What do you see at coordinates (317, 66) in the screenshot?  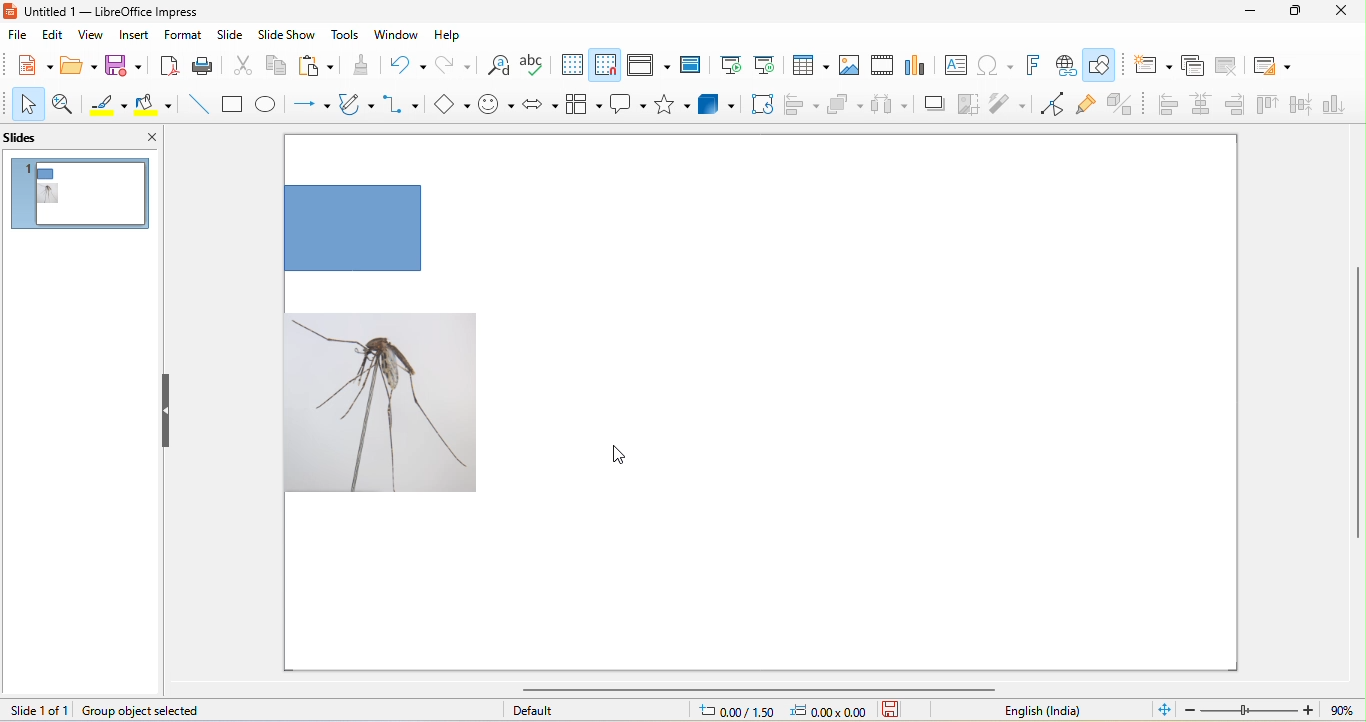 I see `paste` at bounding box center [317, 66].